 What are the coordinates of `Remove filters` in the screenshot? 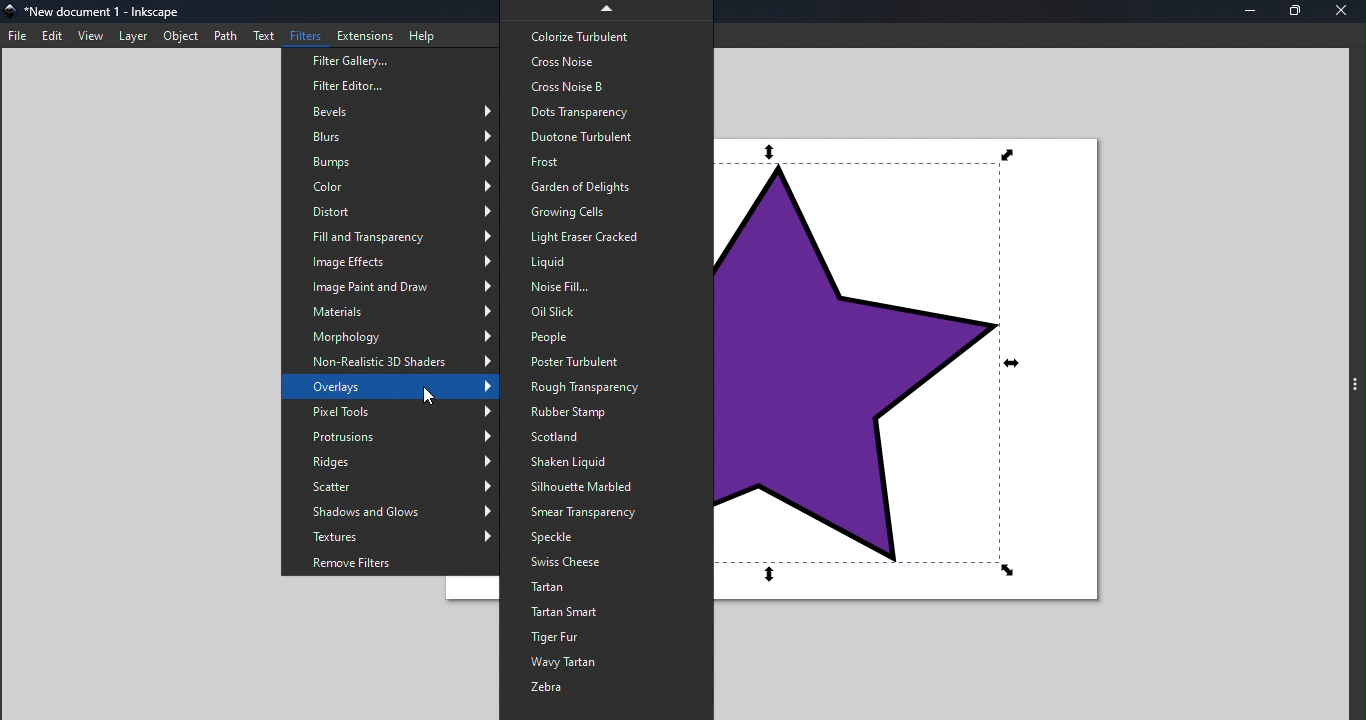 It's located at (392, 563).